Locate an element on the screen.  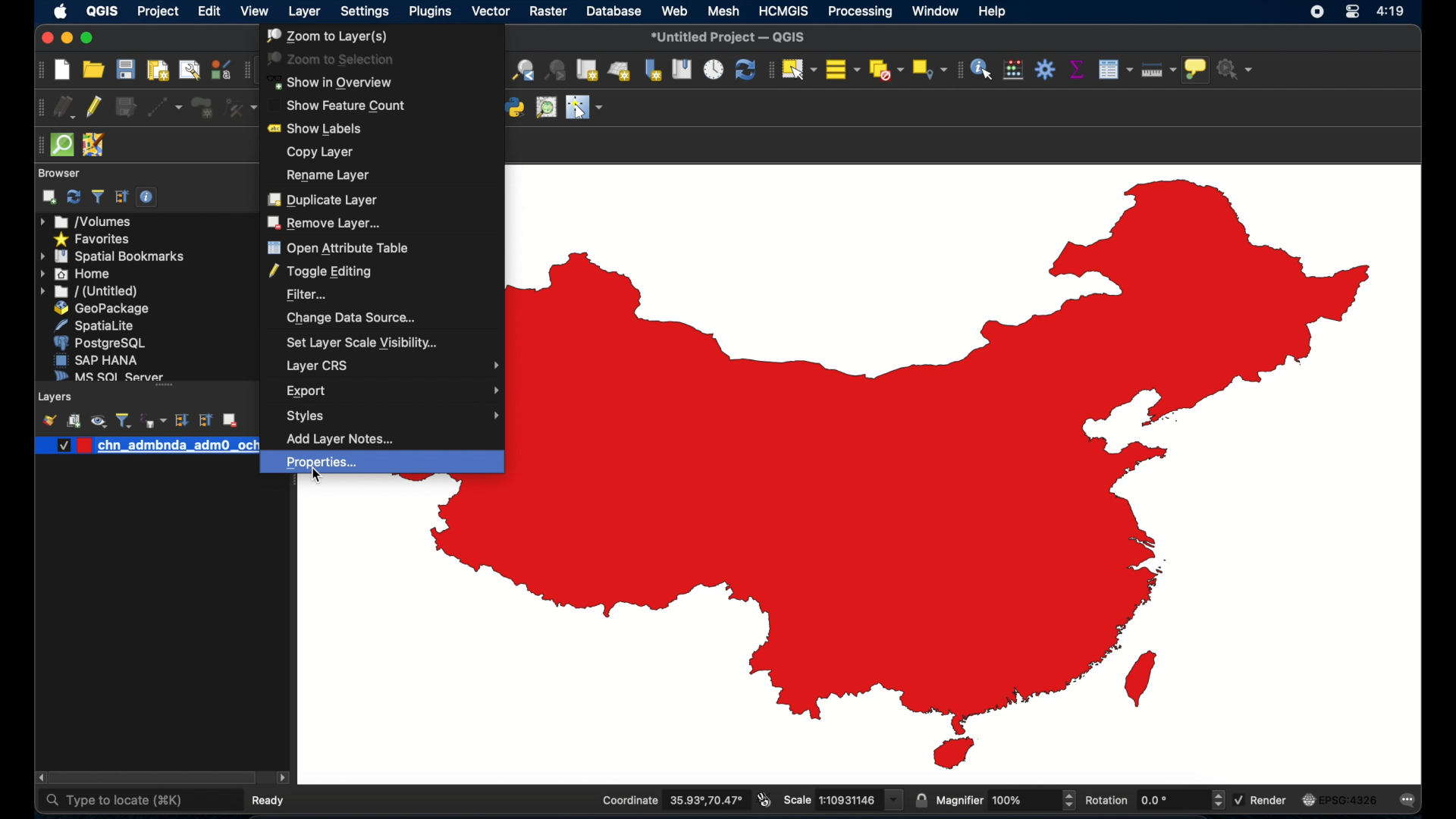
ms sql server is located at coordinates (106, 375).